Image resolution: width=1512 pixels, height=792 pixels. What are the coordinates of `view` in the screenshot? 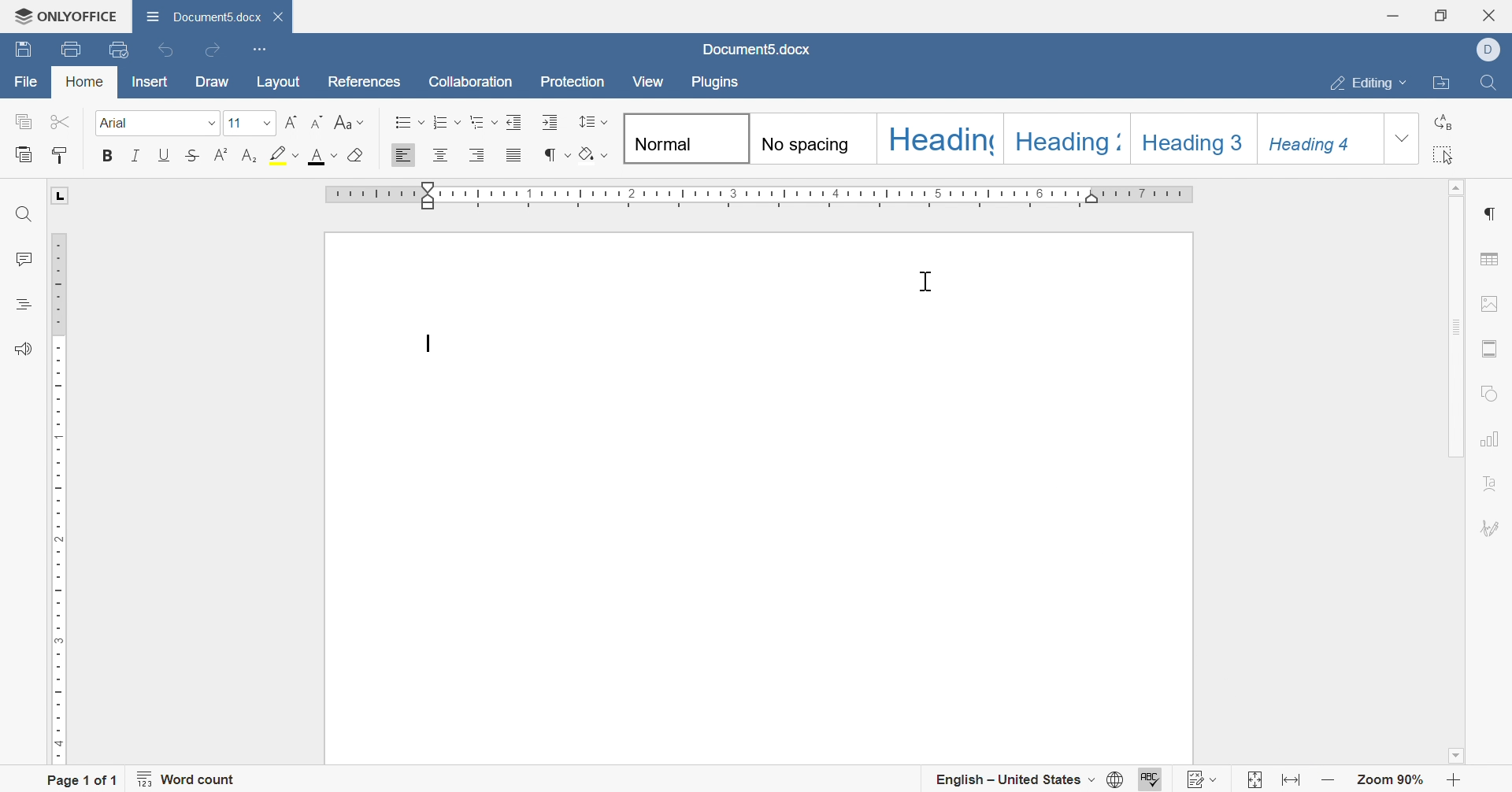 It's located at (646, 80).